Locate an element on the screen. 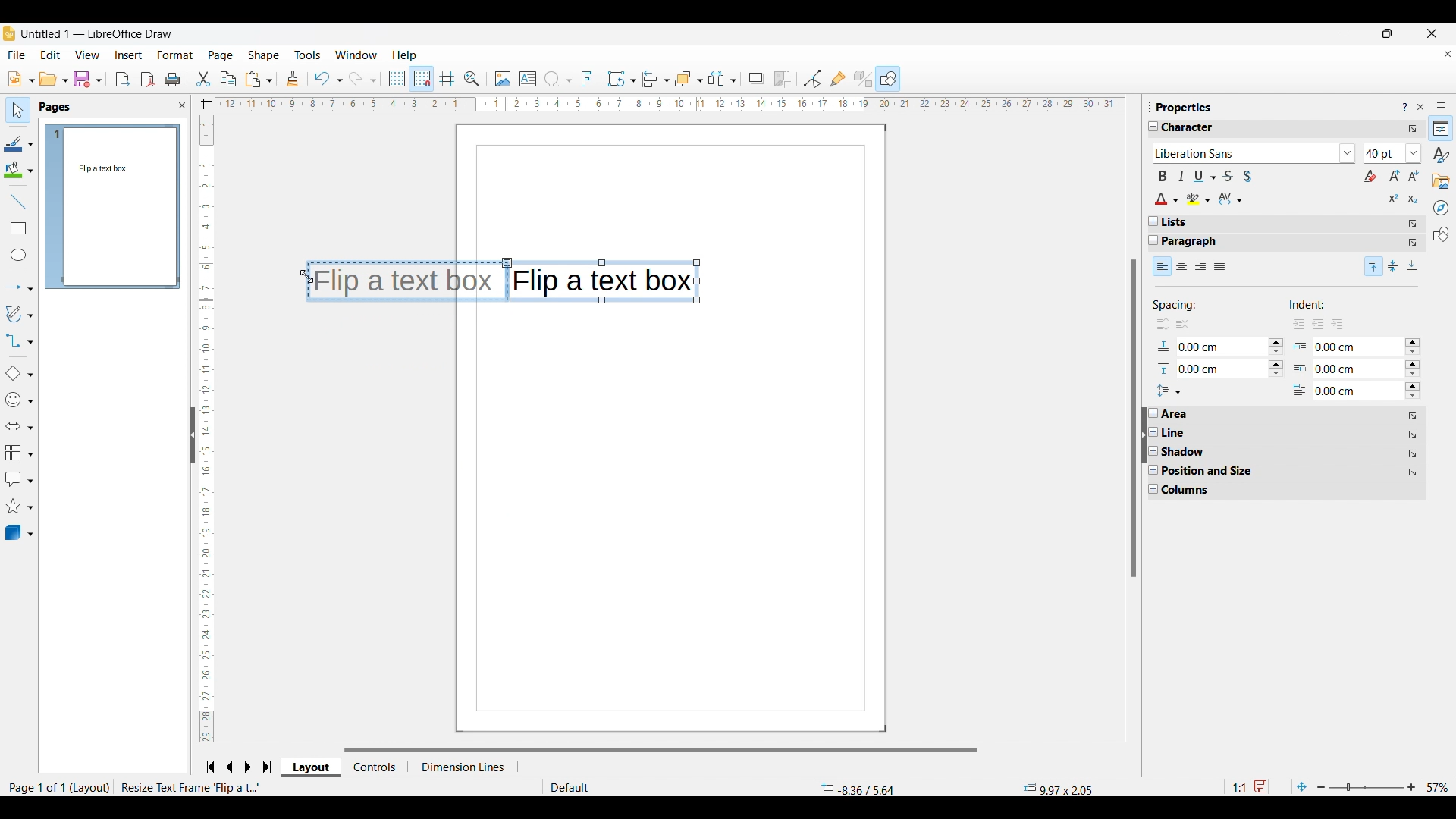 The image size is (1456, 819). Minimize is located at coordinates (1344, 33).